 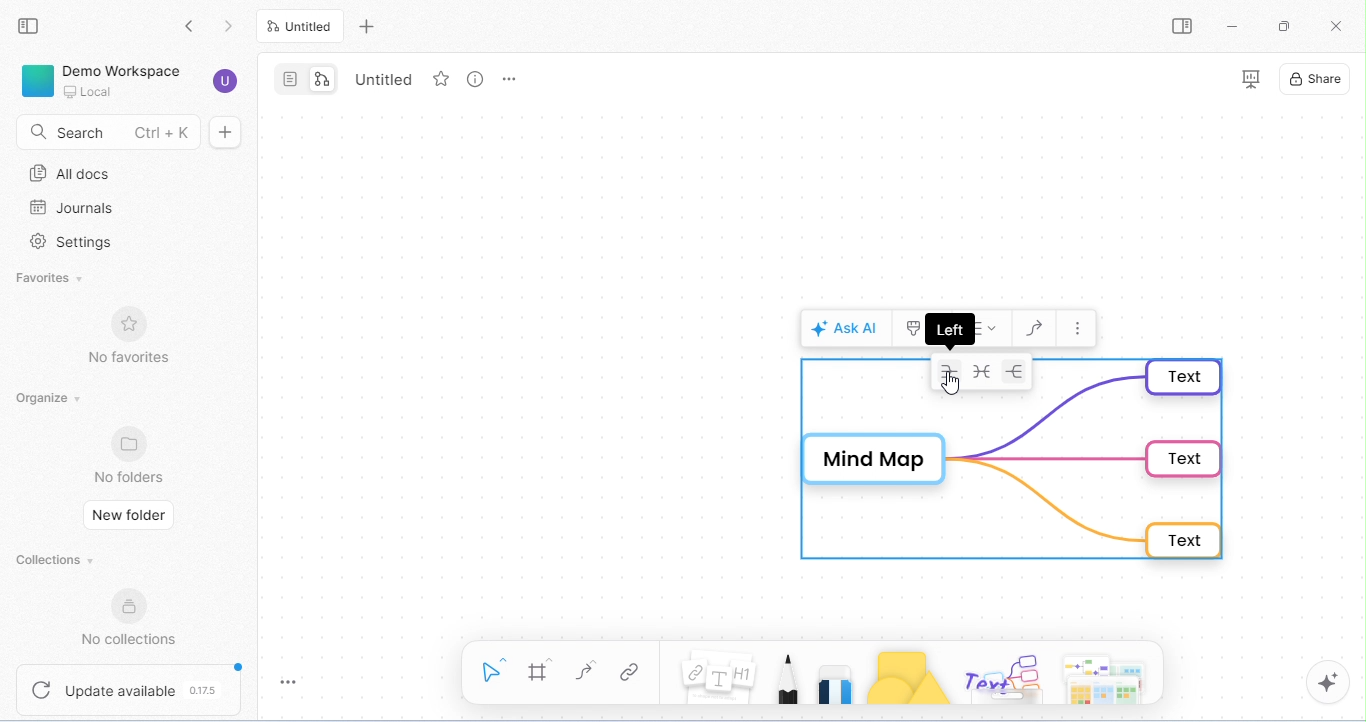 What do you see at coordinates (77, 173) in the screenshot?
I see `all docs` at bounding box center [77, 173].